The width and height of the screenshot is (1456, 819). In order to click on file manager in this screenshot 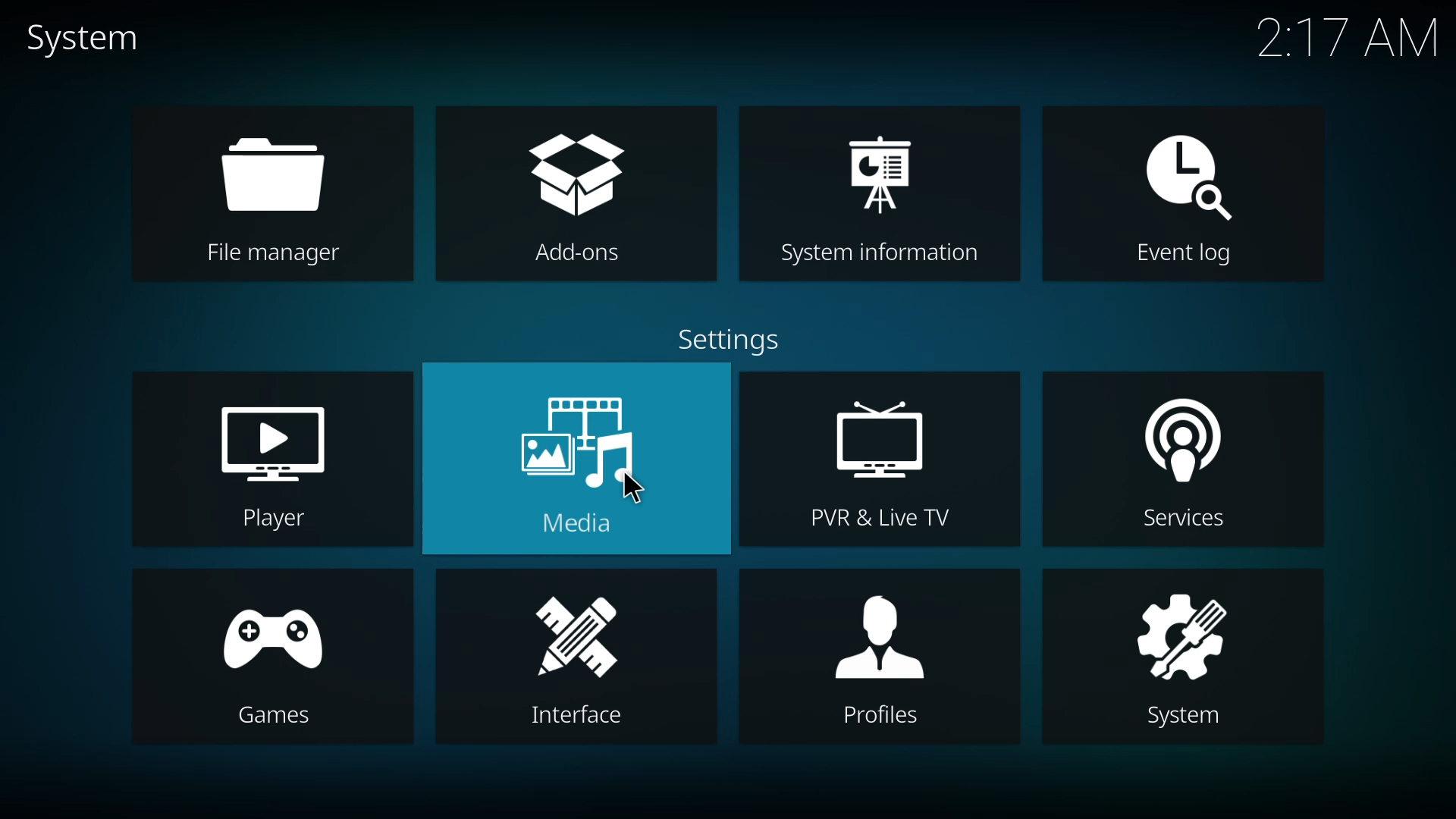, I will do `click(270, 193)`.